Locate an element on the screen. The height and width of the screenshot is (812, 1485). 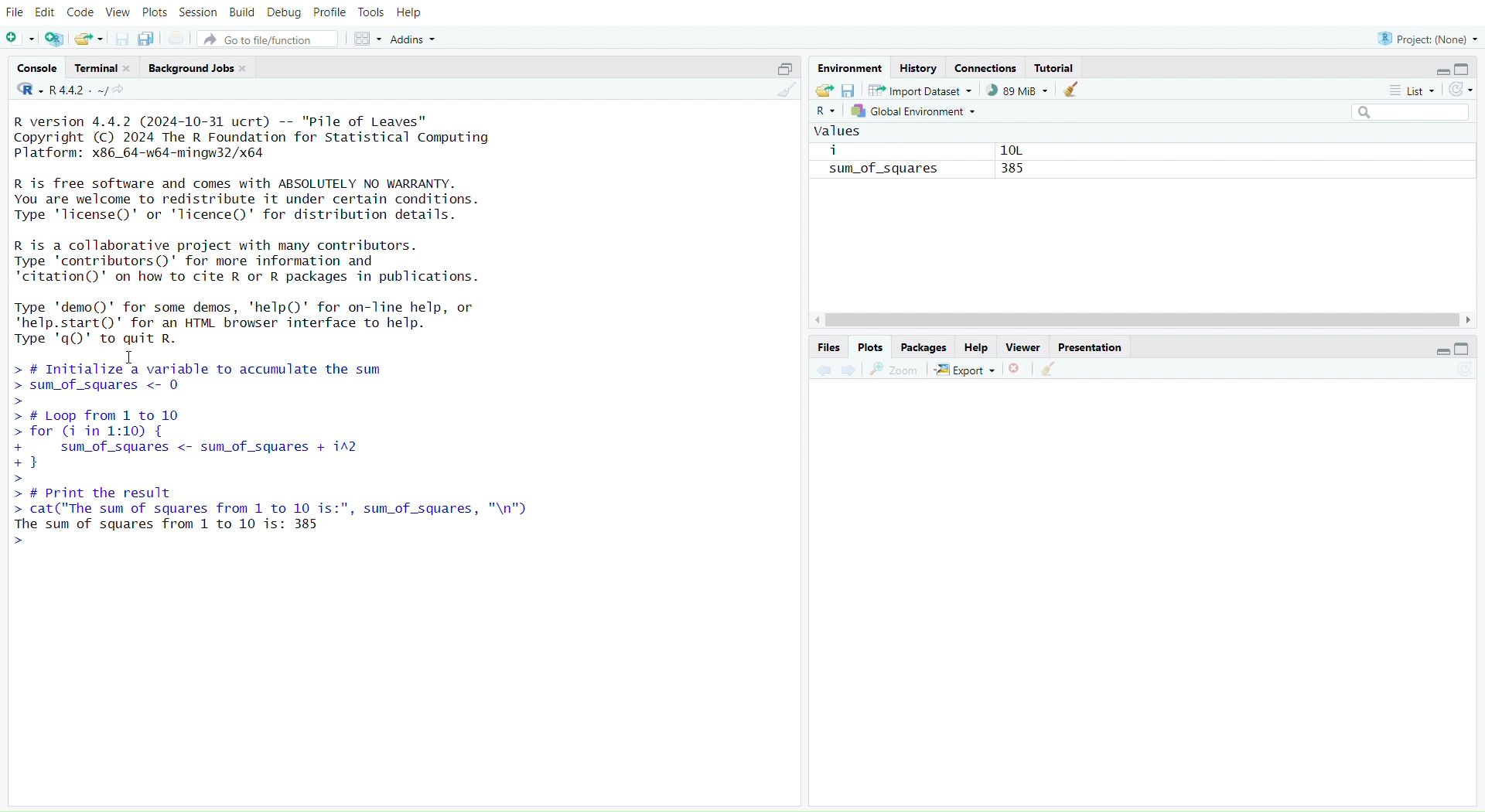
session is located at coordinates (198, 11).